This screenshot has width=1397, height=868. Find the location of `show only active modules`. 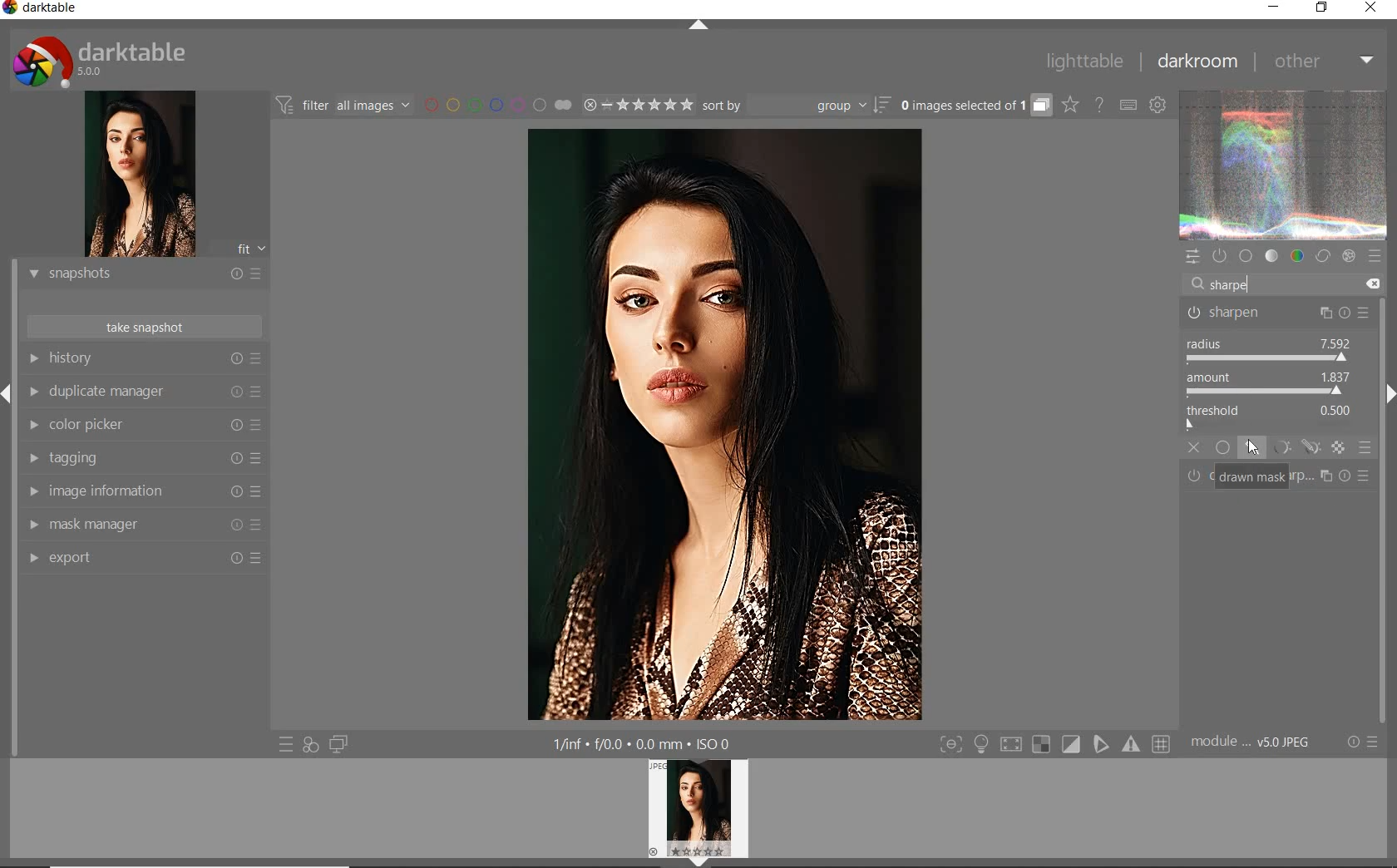

show only active modules is located at coordinates (1220, 257).